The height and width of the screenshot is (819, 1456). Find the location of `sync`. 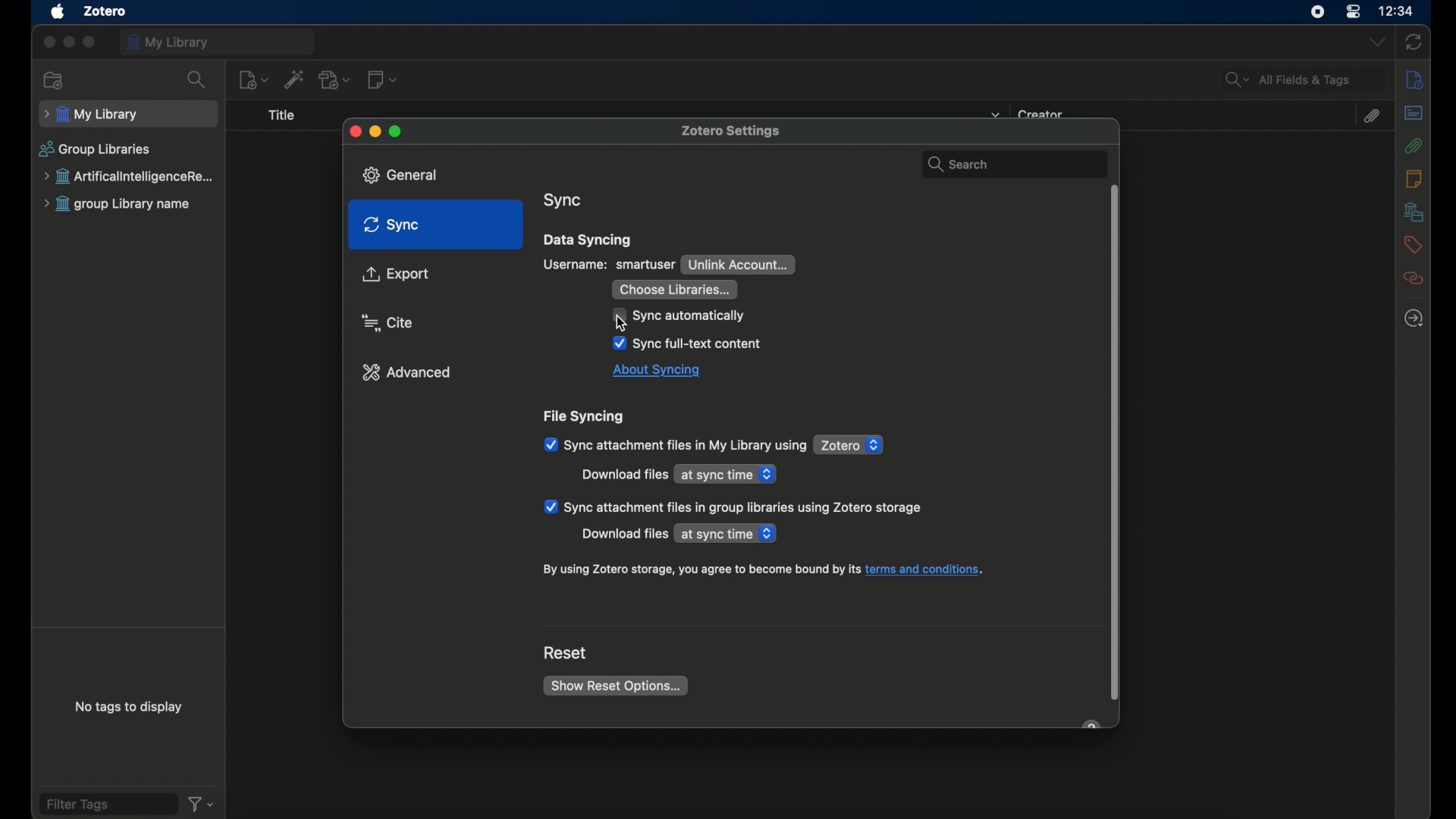

sync is located at coordinates (563, 201).